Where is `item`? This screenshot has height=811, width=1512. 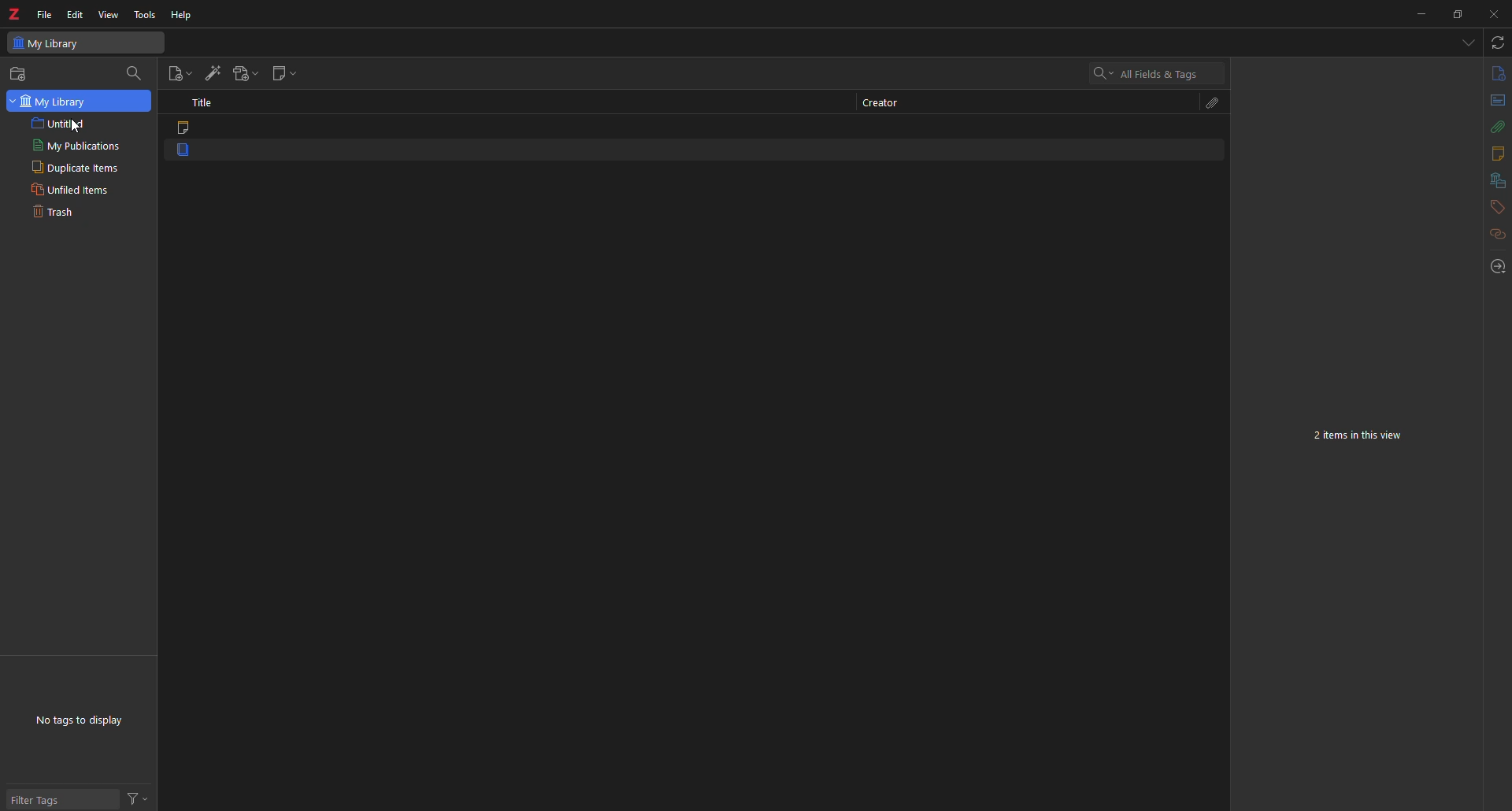
item is located at coordinates (187, 154).